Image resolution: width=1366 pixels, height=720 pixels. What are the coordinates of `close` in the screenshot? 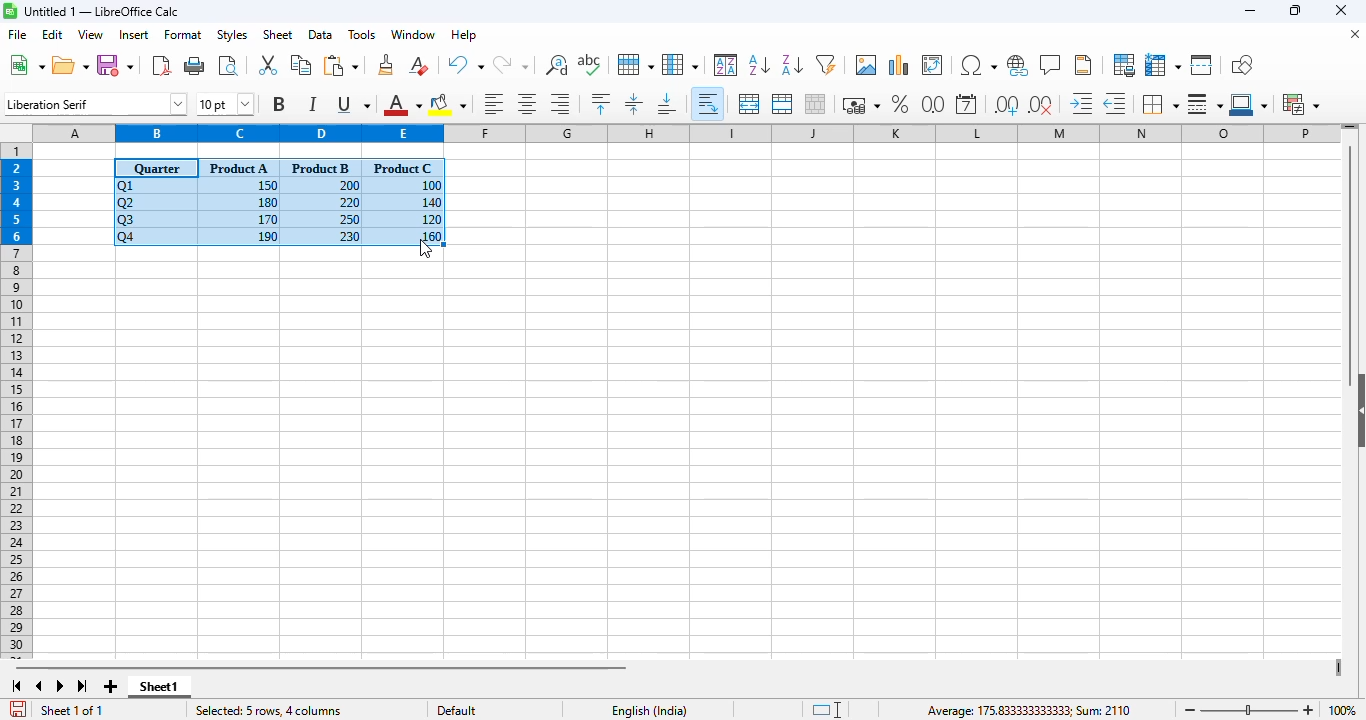 It's located at (1340, 10).